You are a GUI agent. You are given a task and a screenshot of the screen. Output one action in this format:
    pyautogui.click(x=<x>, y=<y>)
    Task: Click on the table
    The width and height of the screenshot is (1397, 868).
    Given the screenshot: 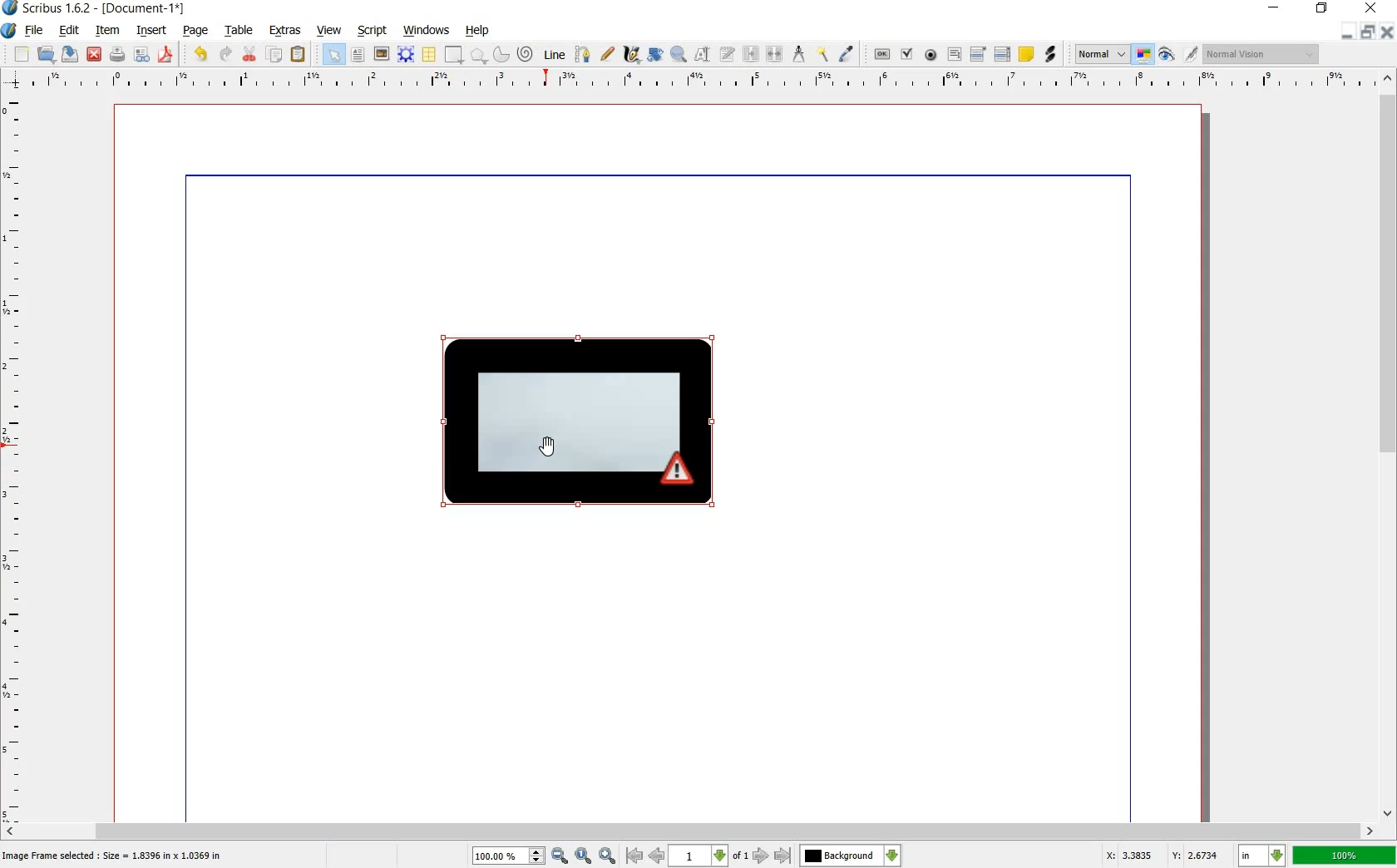 What is the action you would take?
    pyautogui.click(x=427, y=54)
    